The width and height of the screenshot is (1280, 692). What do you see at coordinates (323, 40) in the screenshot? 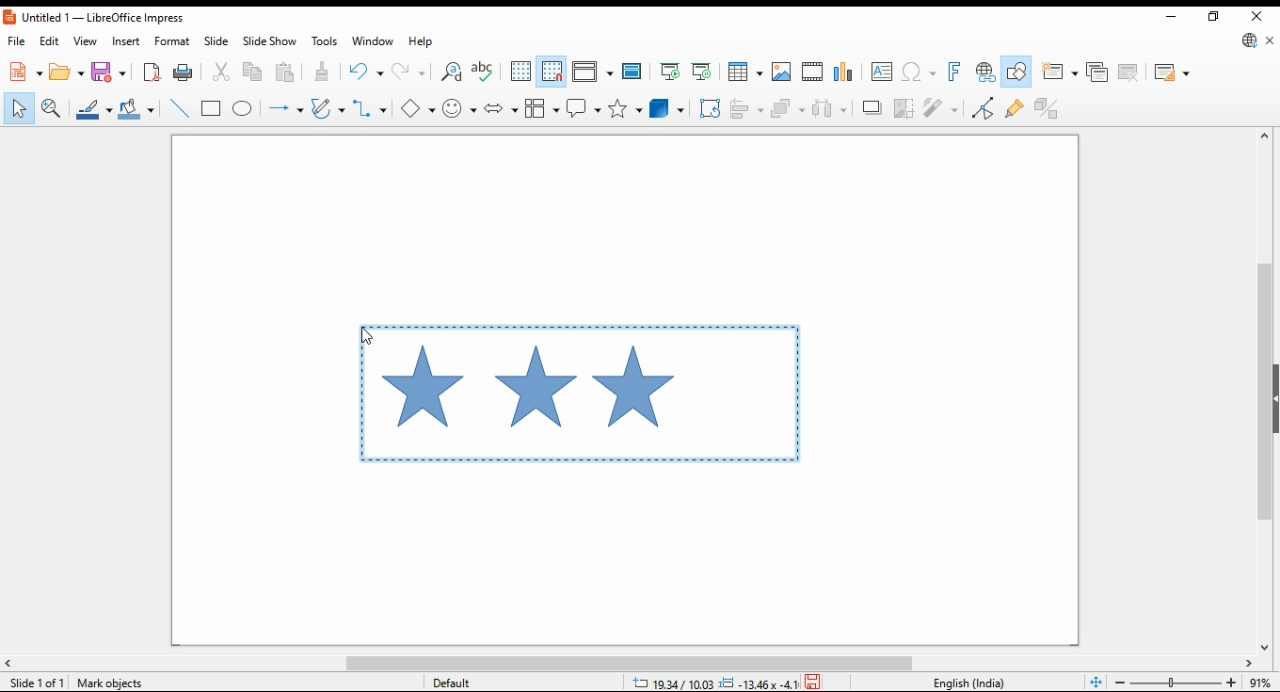
I see `tools` at bounding box center [323, 40].